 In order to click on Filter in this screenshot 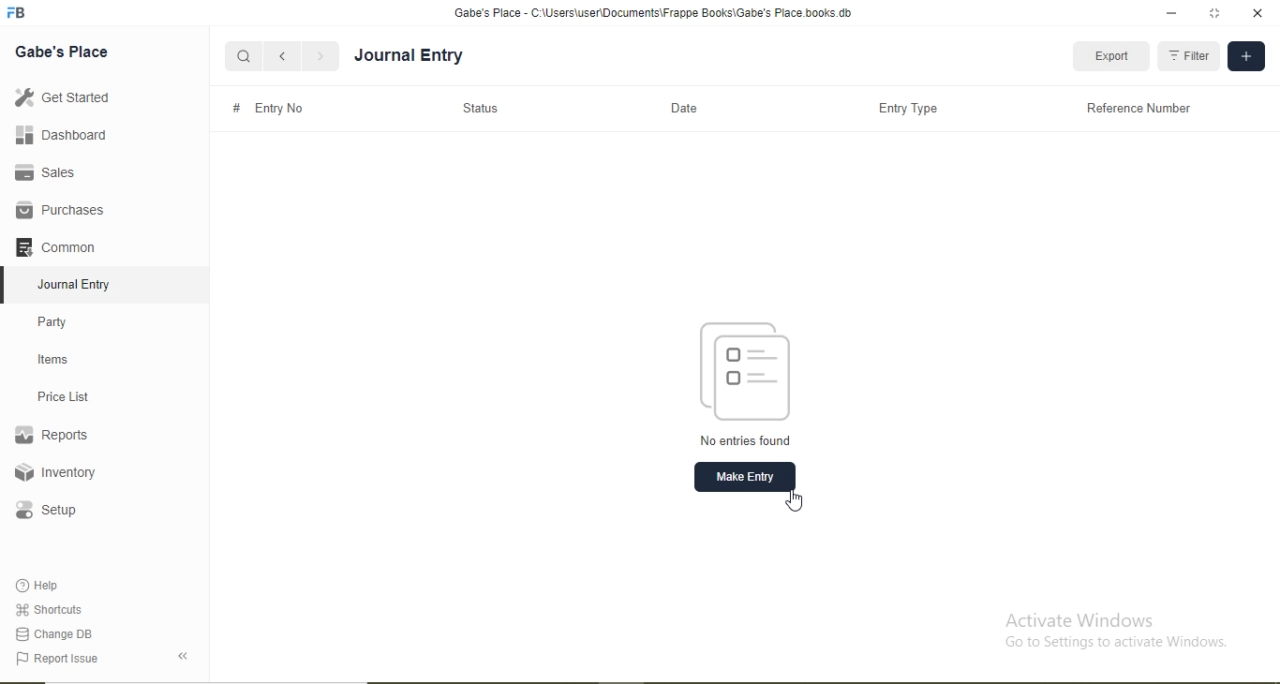, I will do `click(1188, 56)`.